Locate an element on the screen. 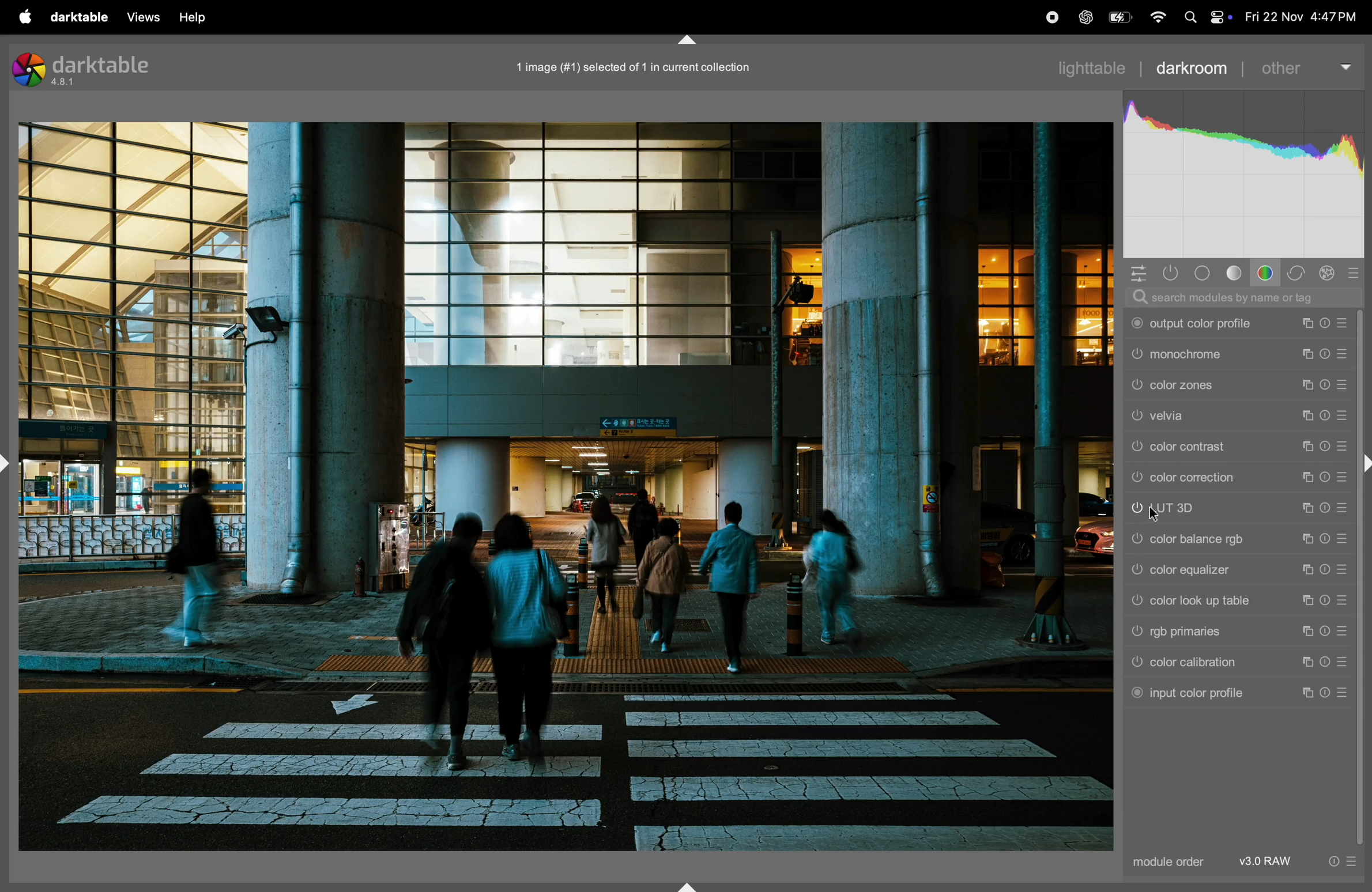  color equalizer switched off is located at coordinates (1135, 569).